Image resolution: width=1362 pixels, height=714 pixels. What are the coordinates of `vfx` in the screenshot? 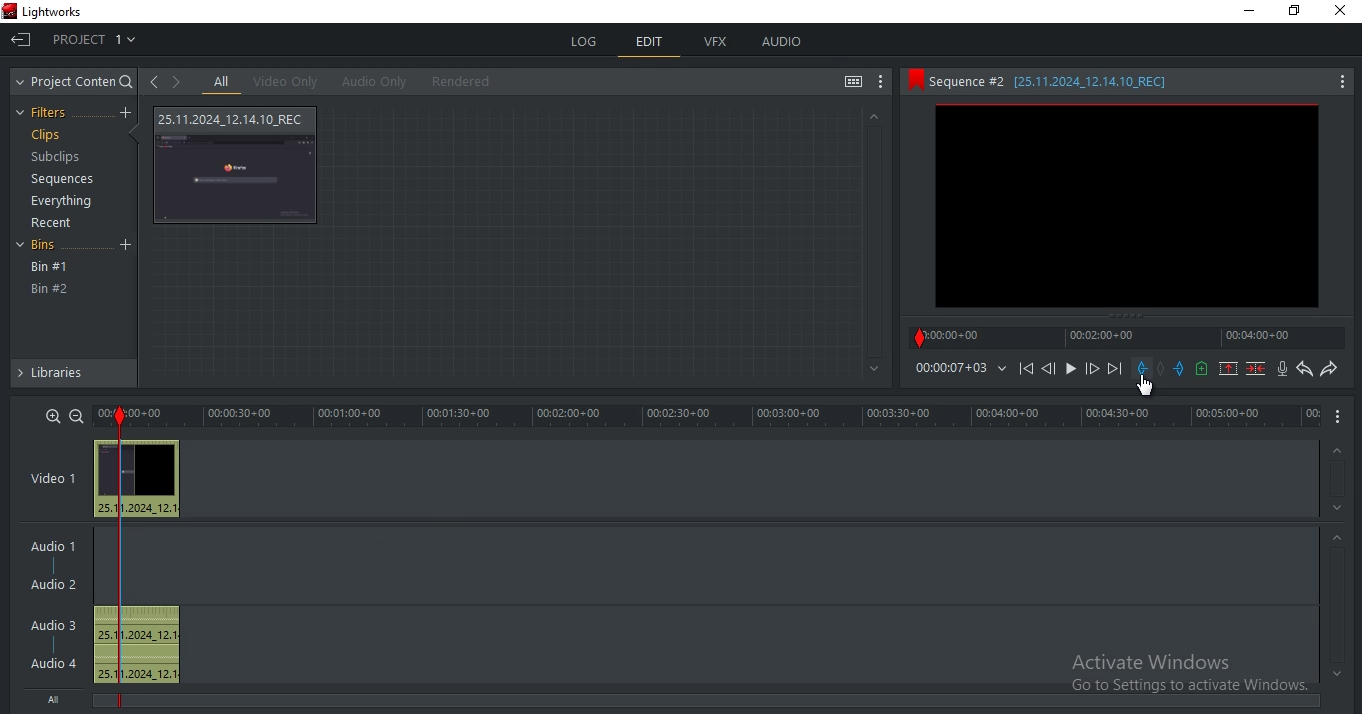 It's located at (717, 42).